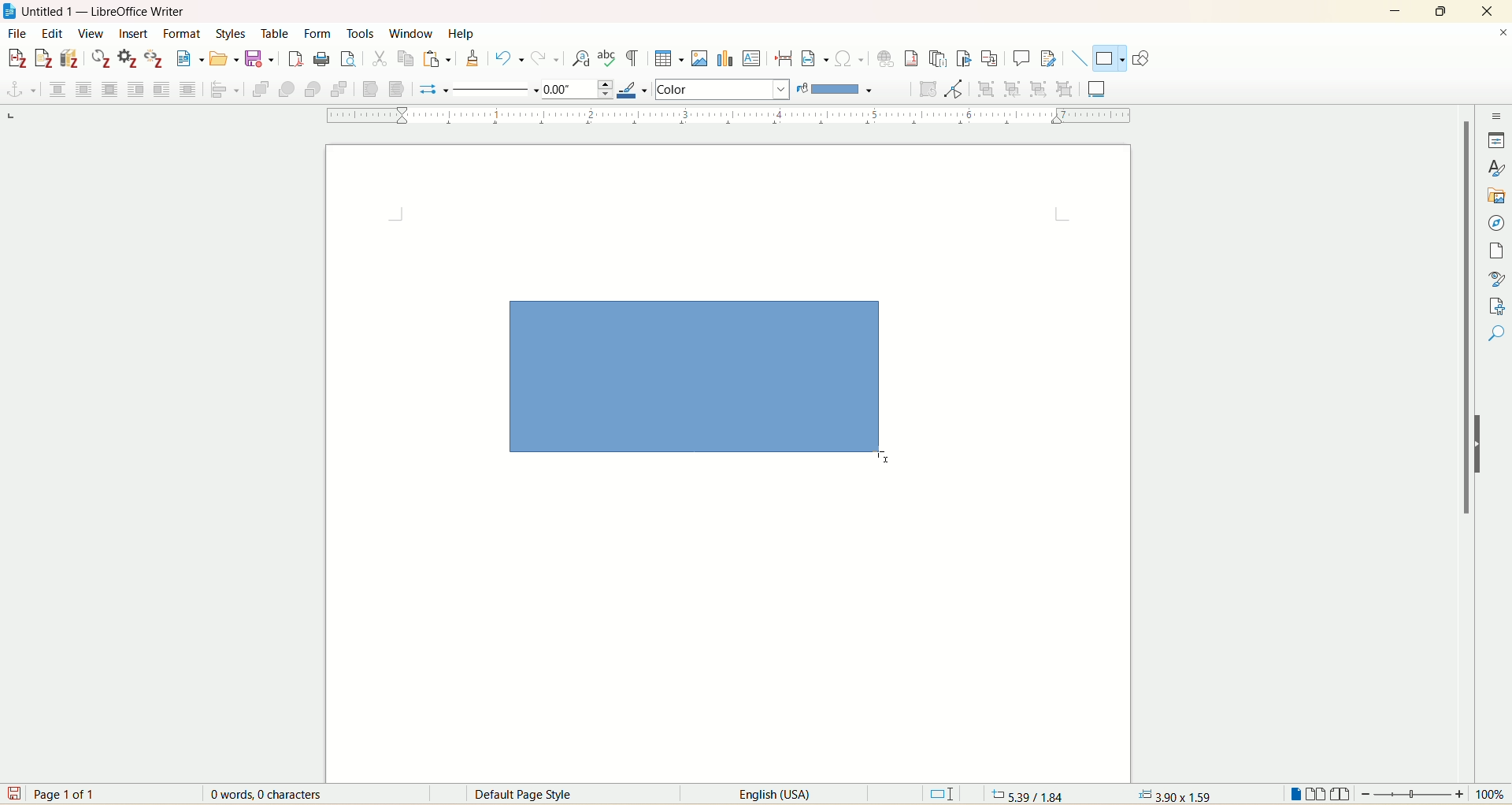  Describe the element at coordinates (321, 35) in the screenshot. I see `form` at that location.